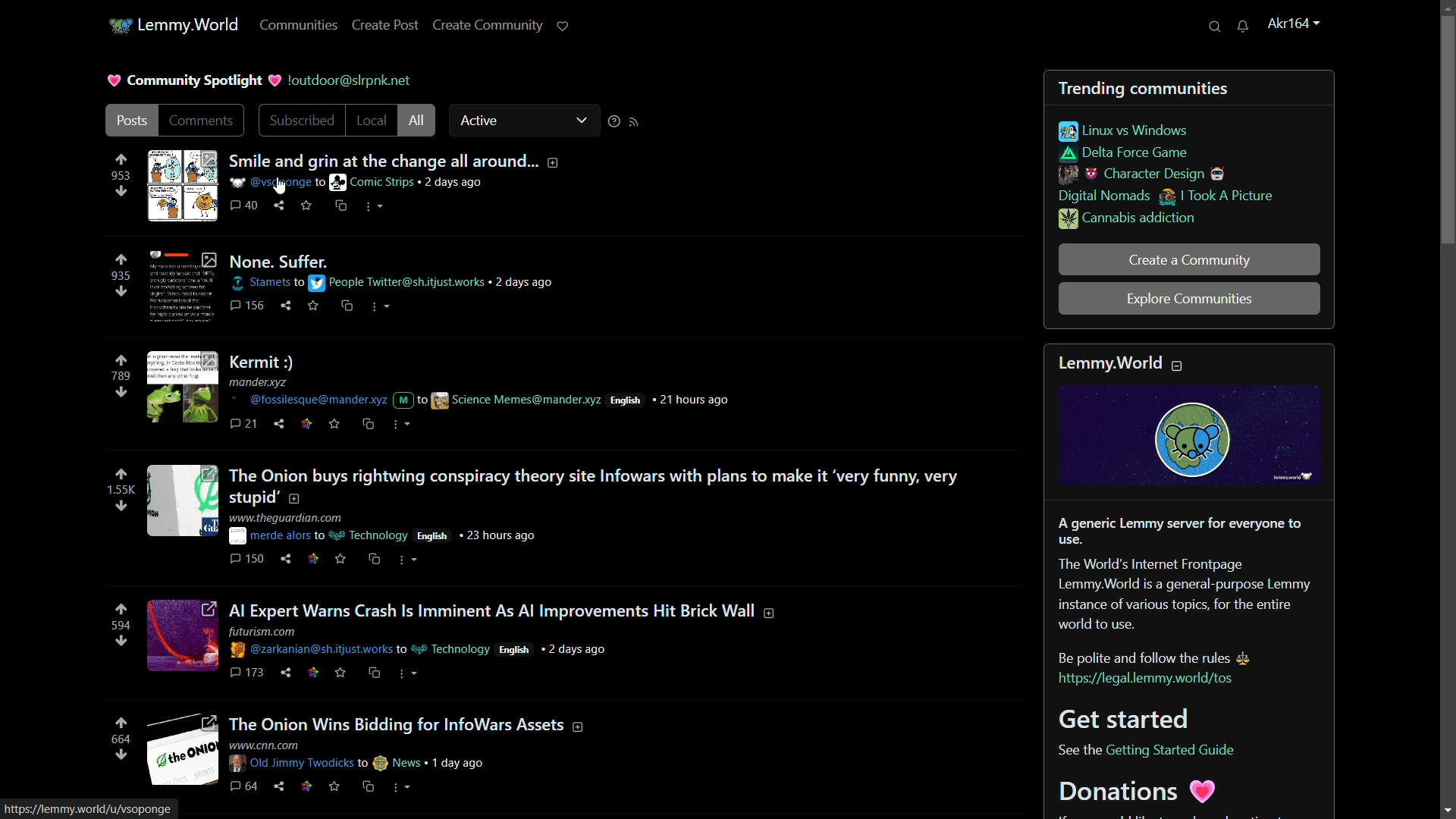 This screenshot has width=1456, height=819. What do you see at coordinates (278, 424) in the screenshot?
I see `share` at bounding box center [278, 424].